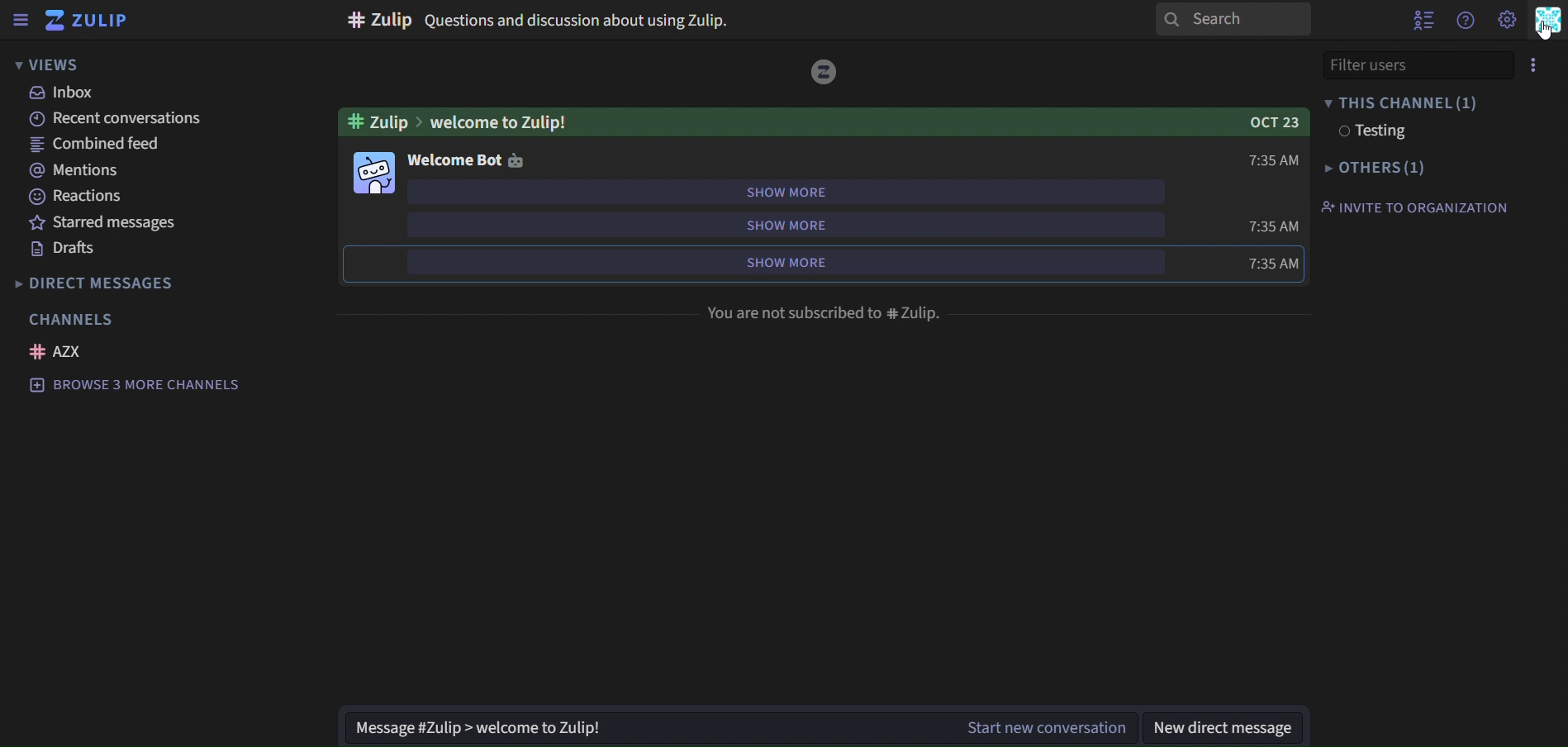  What do you see at coordinates (1543, 31) in the screenshot?
I see `Cursor` at bounding box center [1543, 31].